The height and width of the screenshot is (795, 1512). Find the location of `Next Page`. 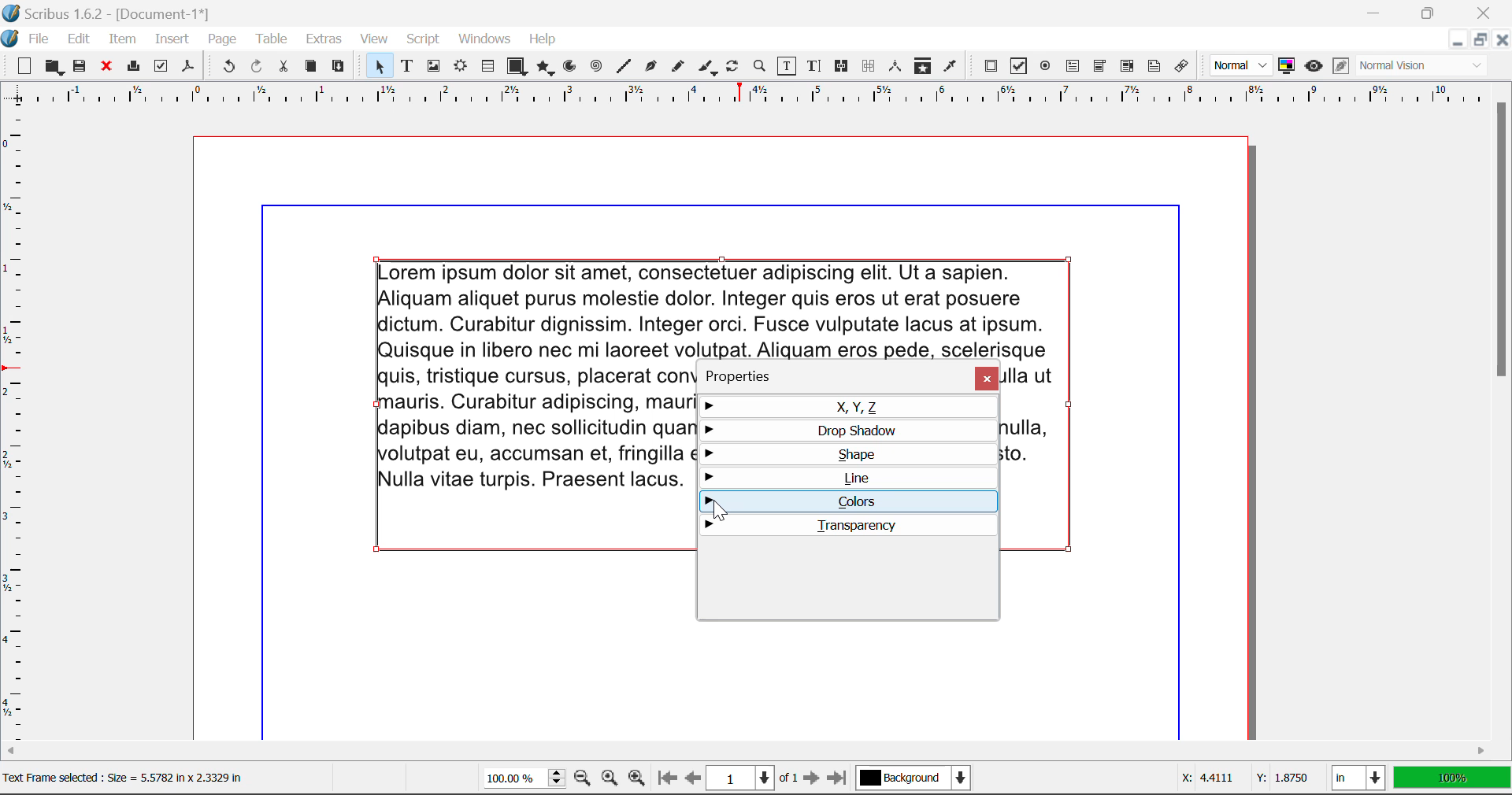

Next Page is located at coordinates (811, 779).